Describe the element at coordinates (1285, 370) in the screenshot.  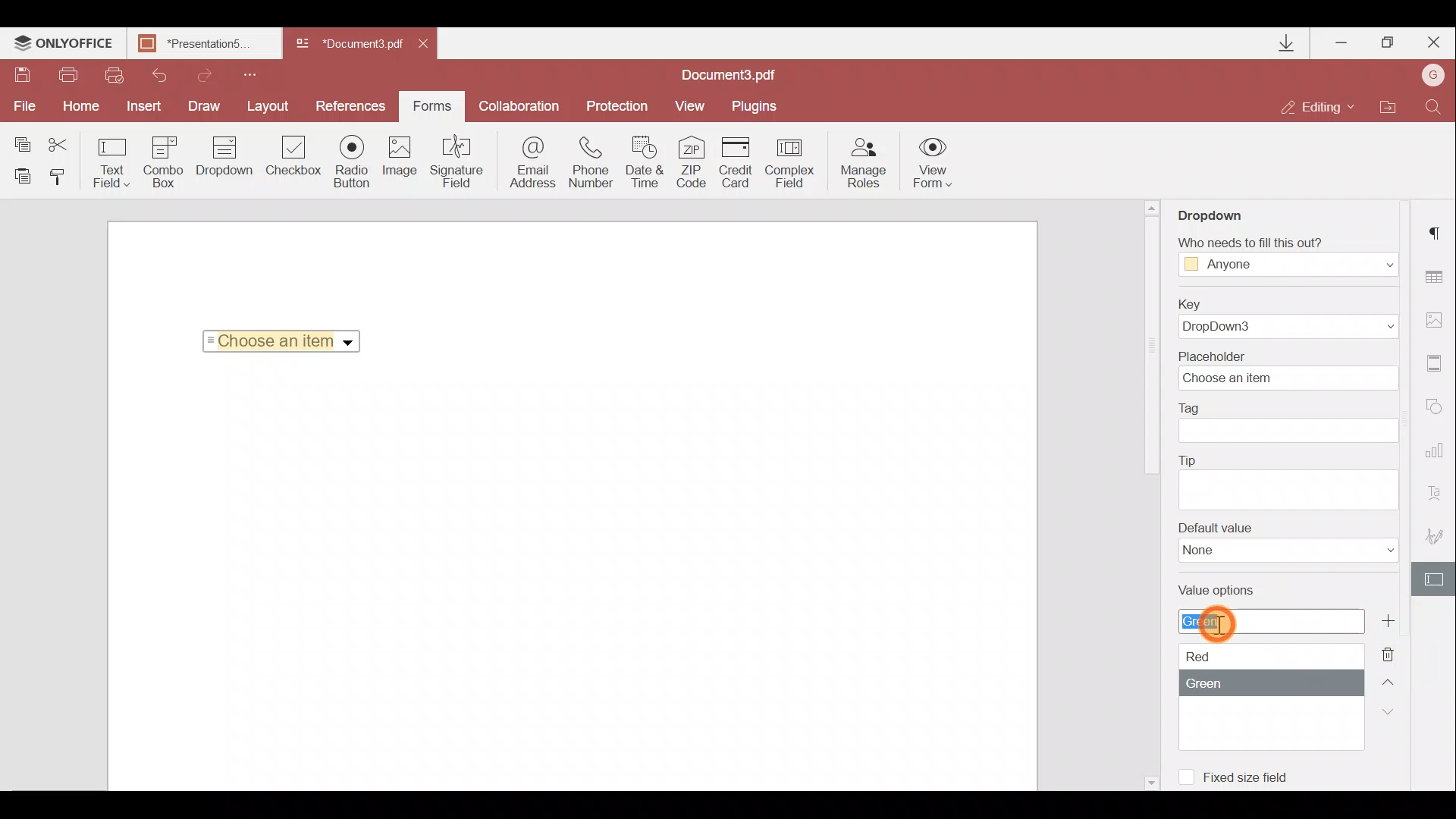
I see `Placeholder` at that location.